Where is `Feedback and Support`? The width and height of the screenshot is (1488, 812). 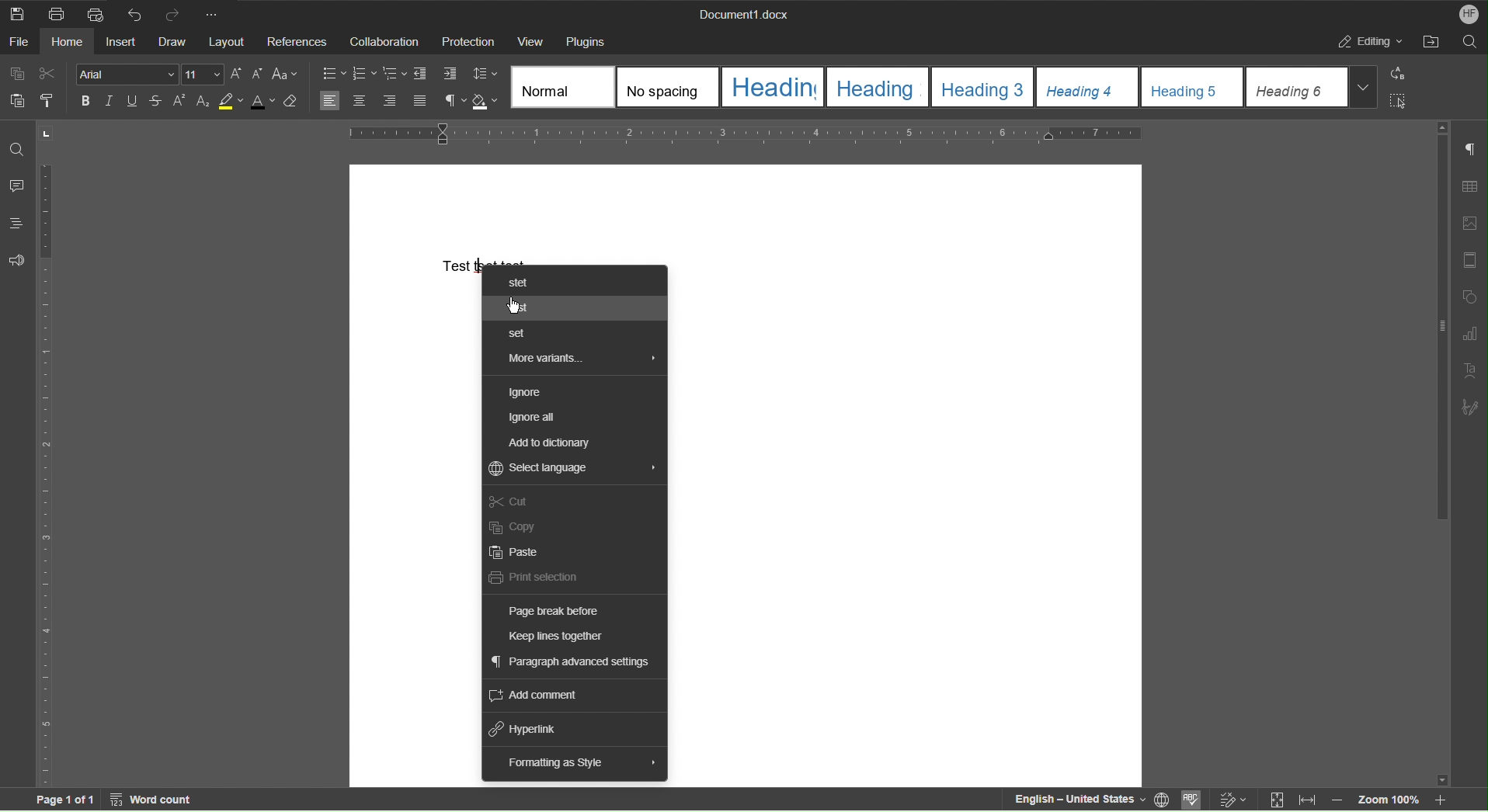
Feedback and Support is located at coordinates (16, 261).